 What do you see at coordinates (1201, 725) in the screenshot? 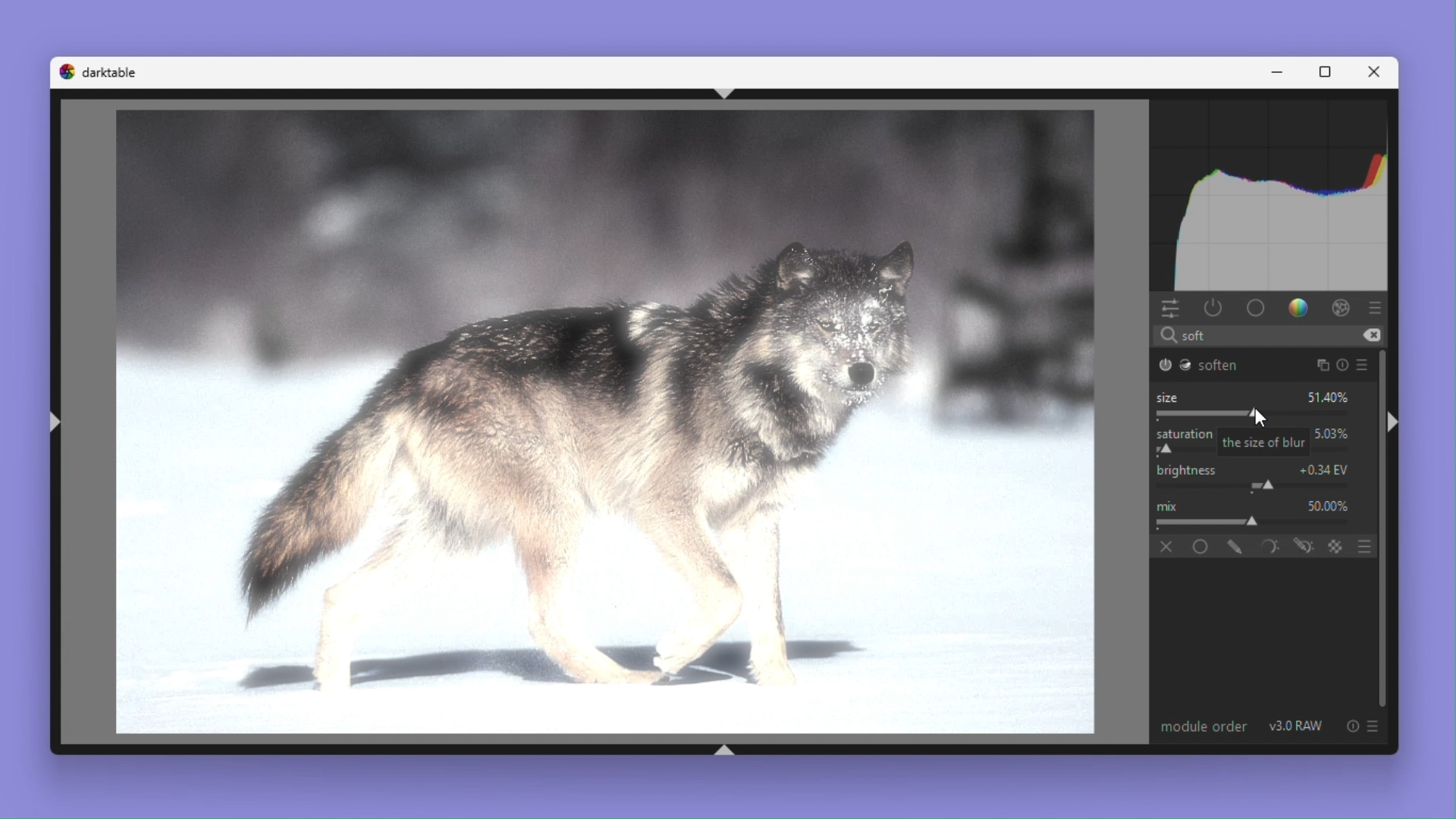
I see `Module order` at bounding box center [1201, 725].